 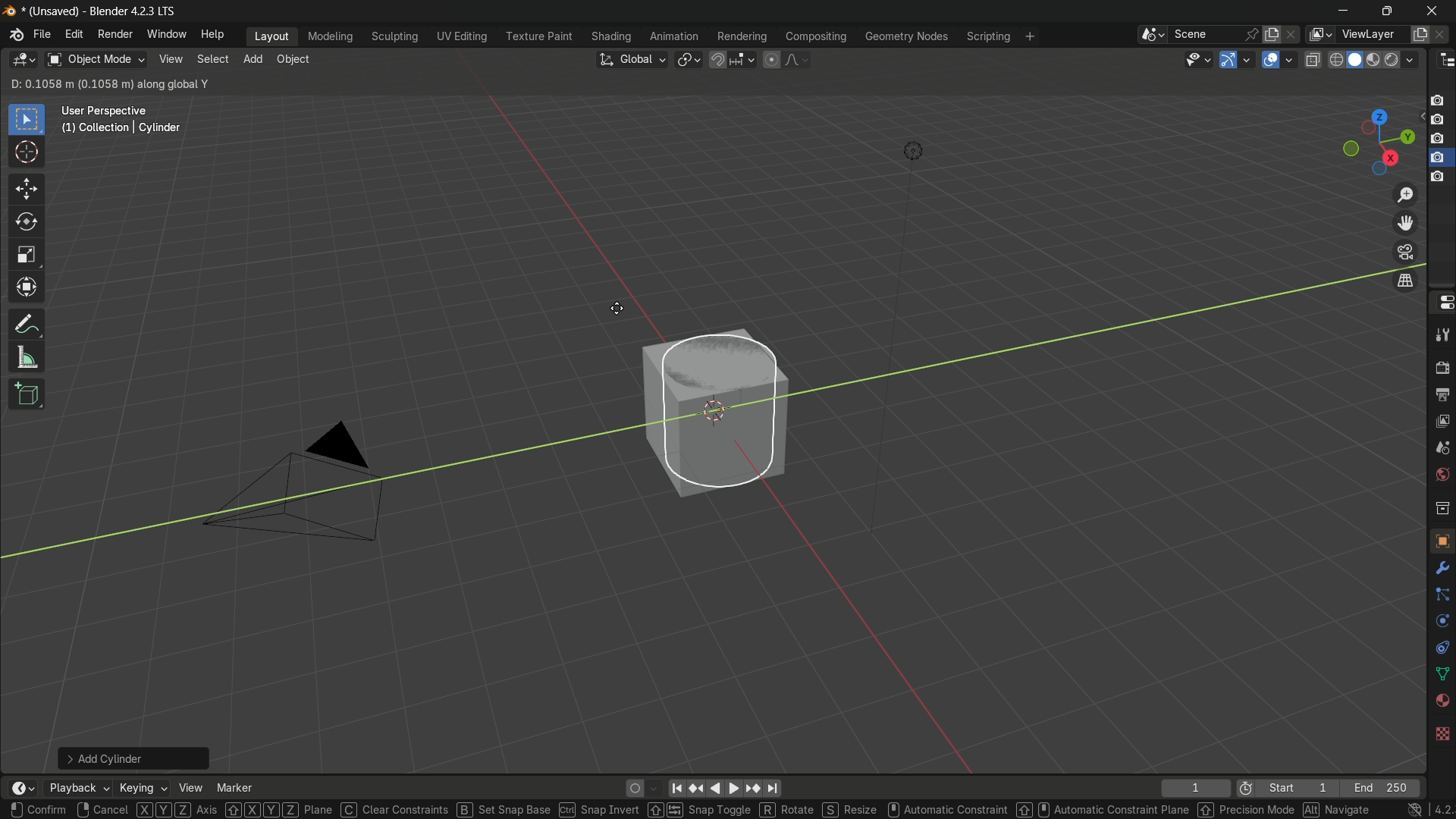 What do you see at coordinates (1336, 60) in the screenshot?
I see `wireframe` at bounding box center [1336, 60].